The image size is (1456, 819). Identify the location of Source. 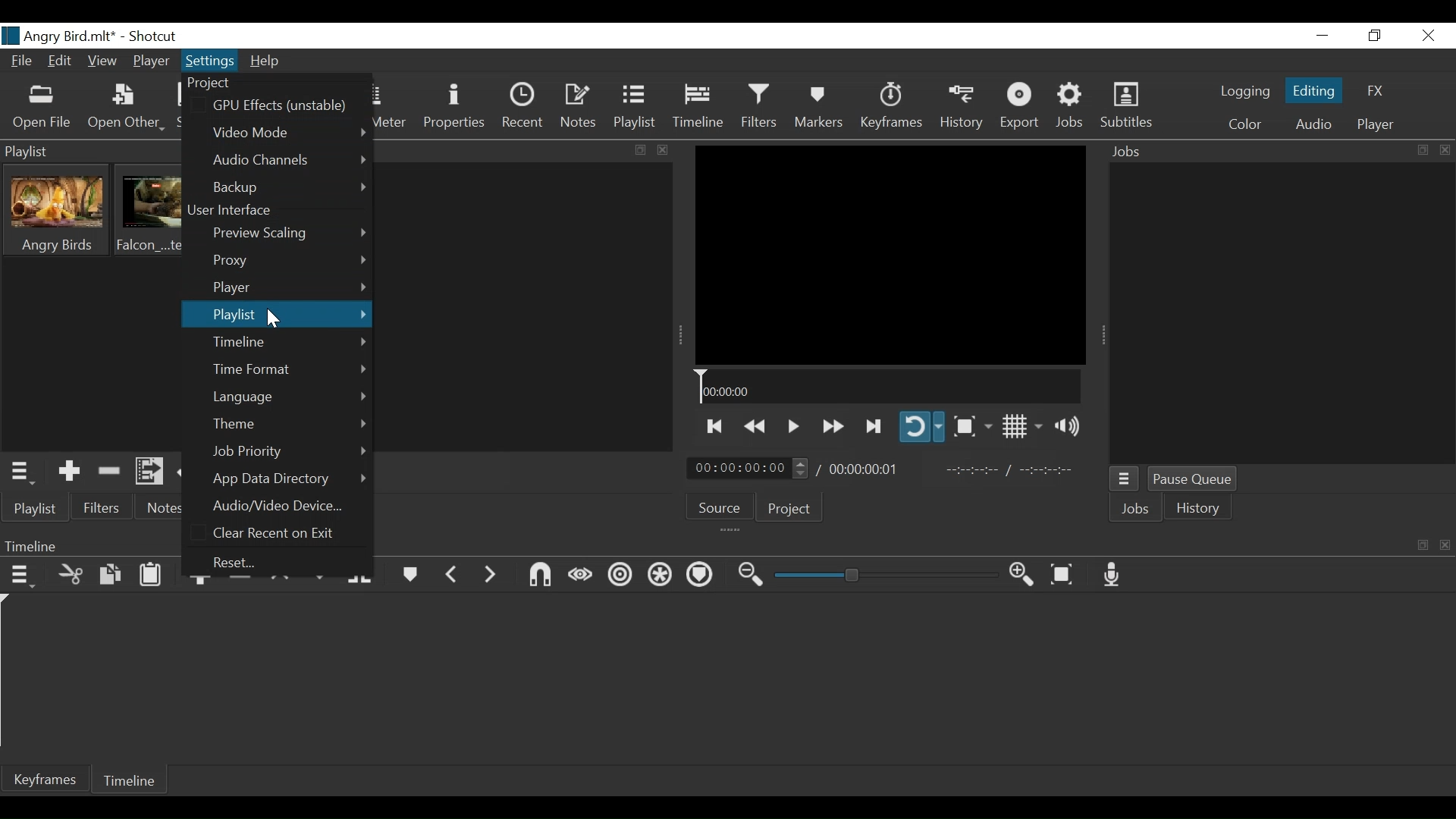
(721, 507).